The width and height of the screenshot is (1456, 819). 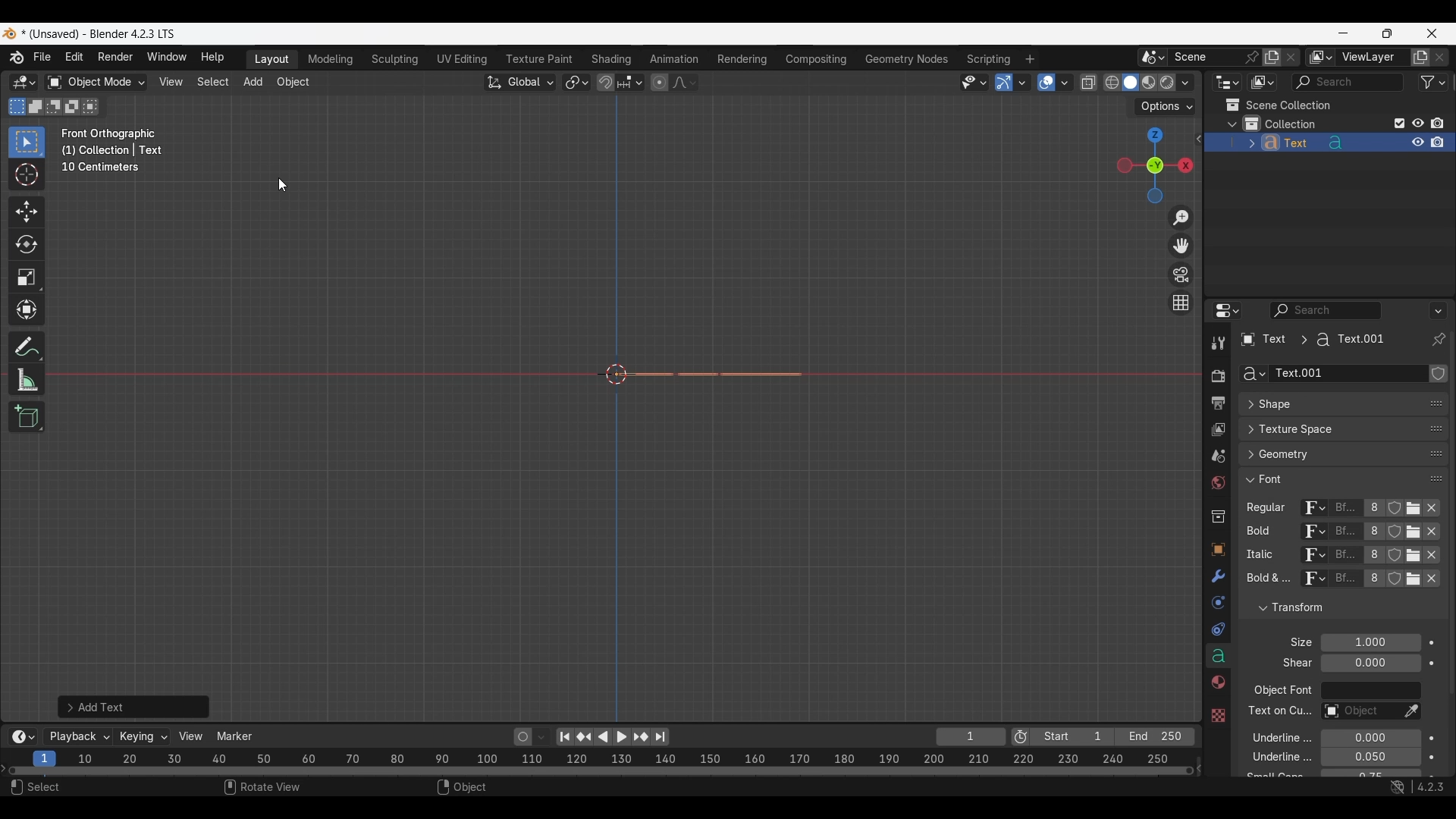 What do you see at coordinates (1440, 374) in the screenshot?
I see `Change order in the list` at bounding box center [1440, 374].